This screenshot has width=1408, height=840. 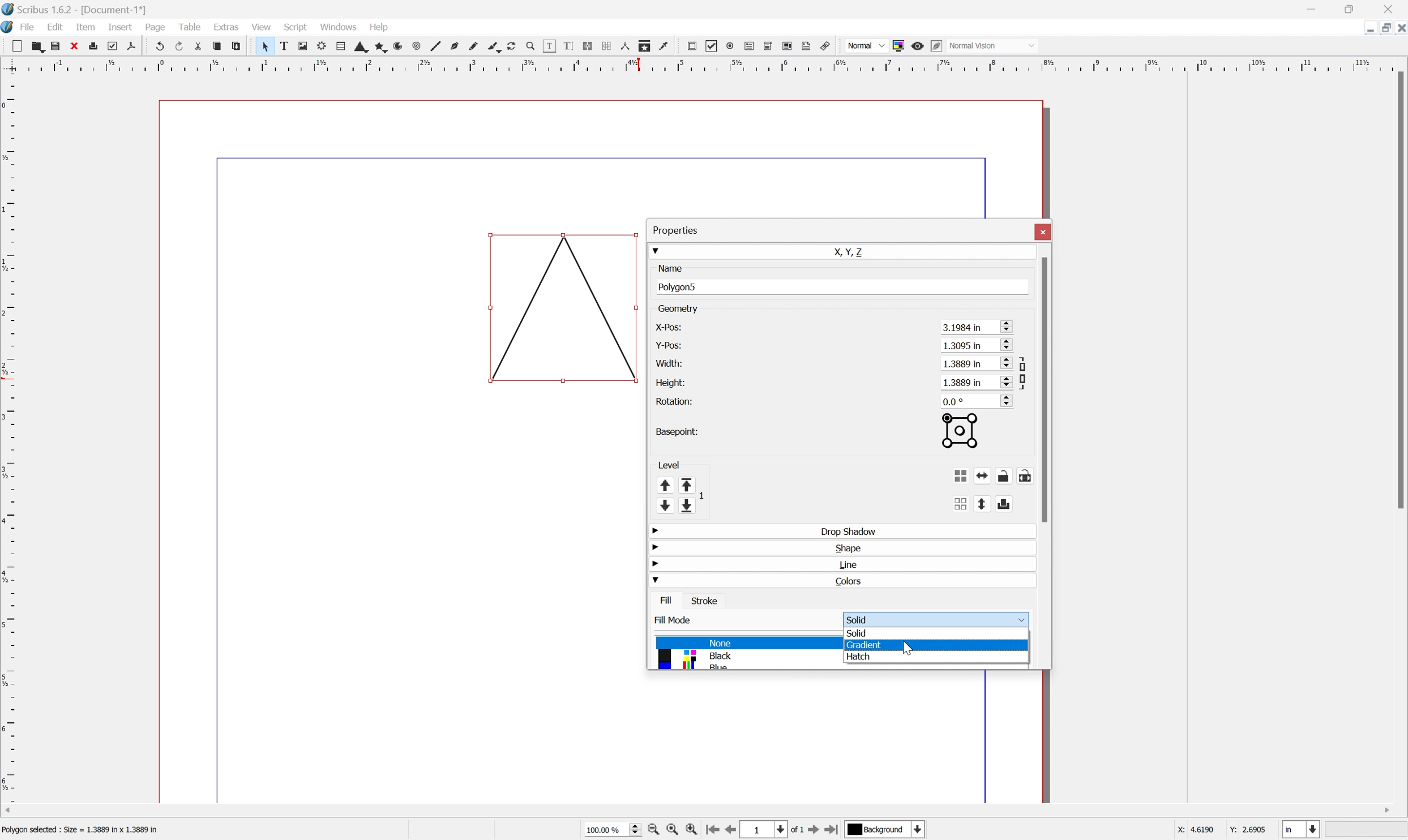 What do you see at coordinates (178, 45) in the screenshot?
I see `Redo` at bounding box center [178, 45].